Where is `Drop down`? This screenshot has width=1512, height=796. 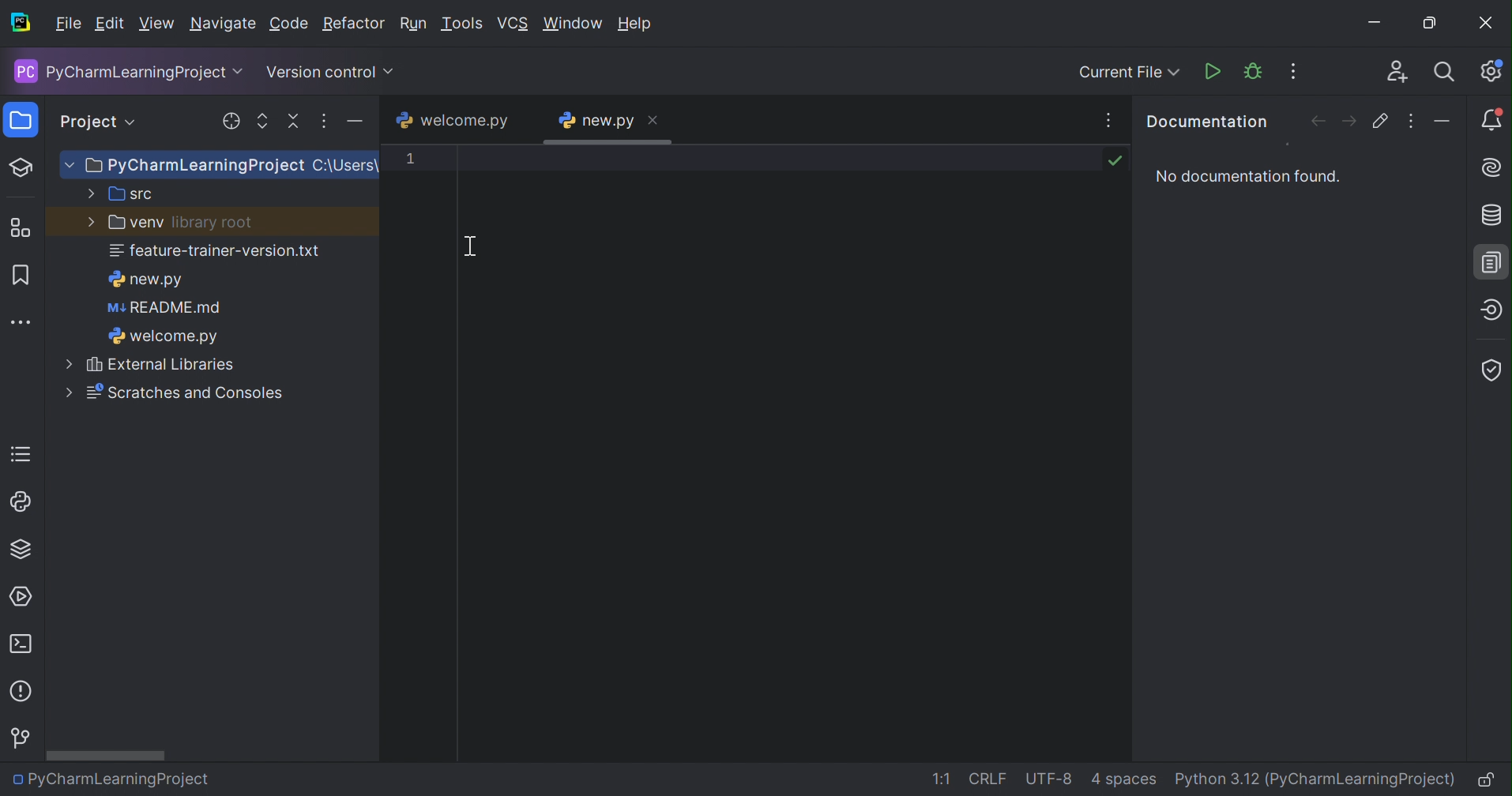 Drop down is located at coordinates (391, 72).